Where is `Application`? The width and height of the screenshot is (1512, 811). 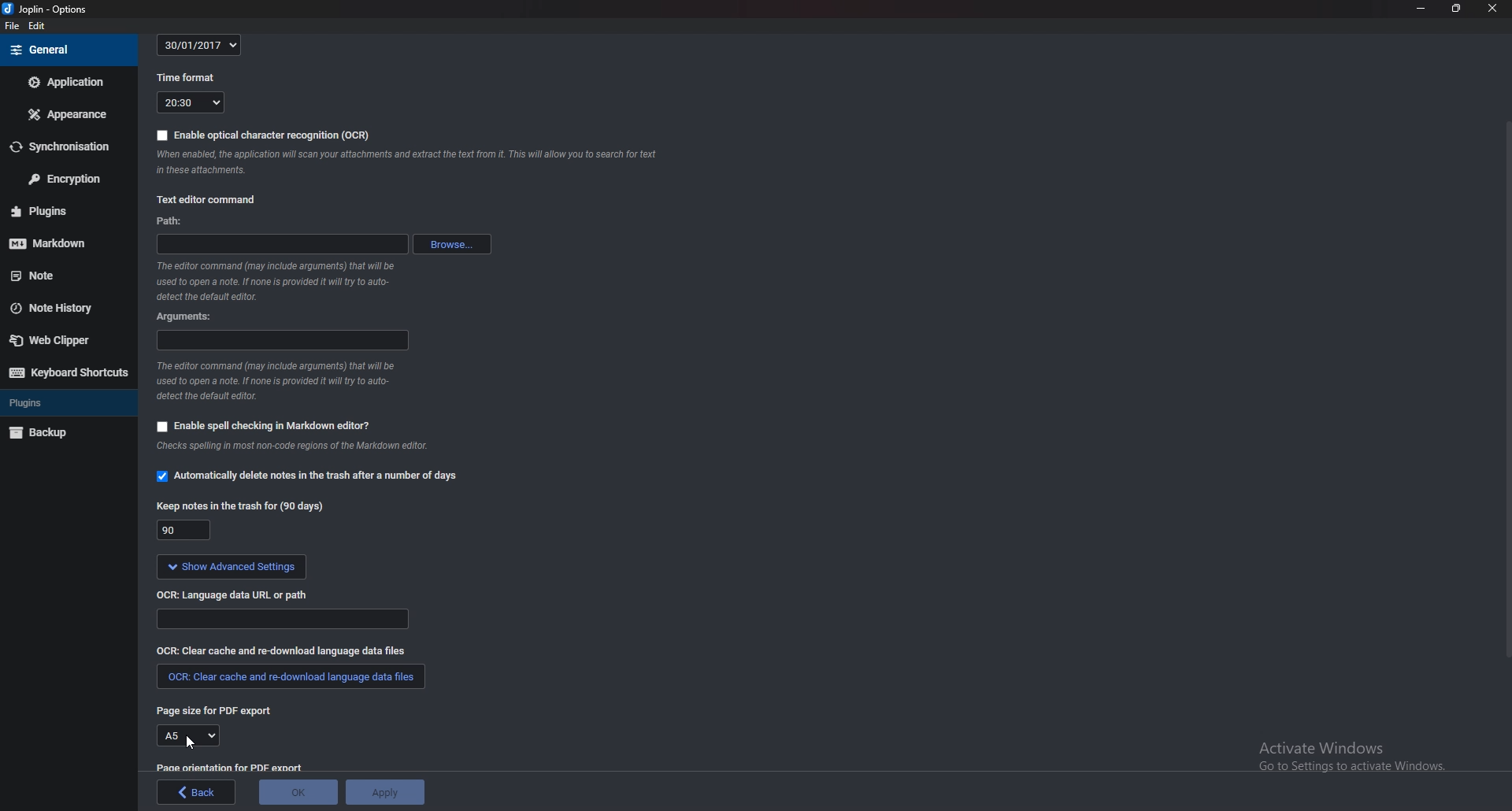
Application is located at coordinates (67, 83).